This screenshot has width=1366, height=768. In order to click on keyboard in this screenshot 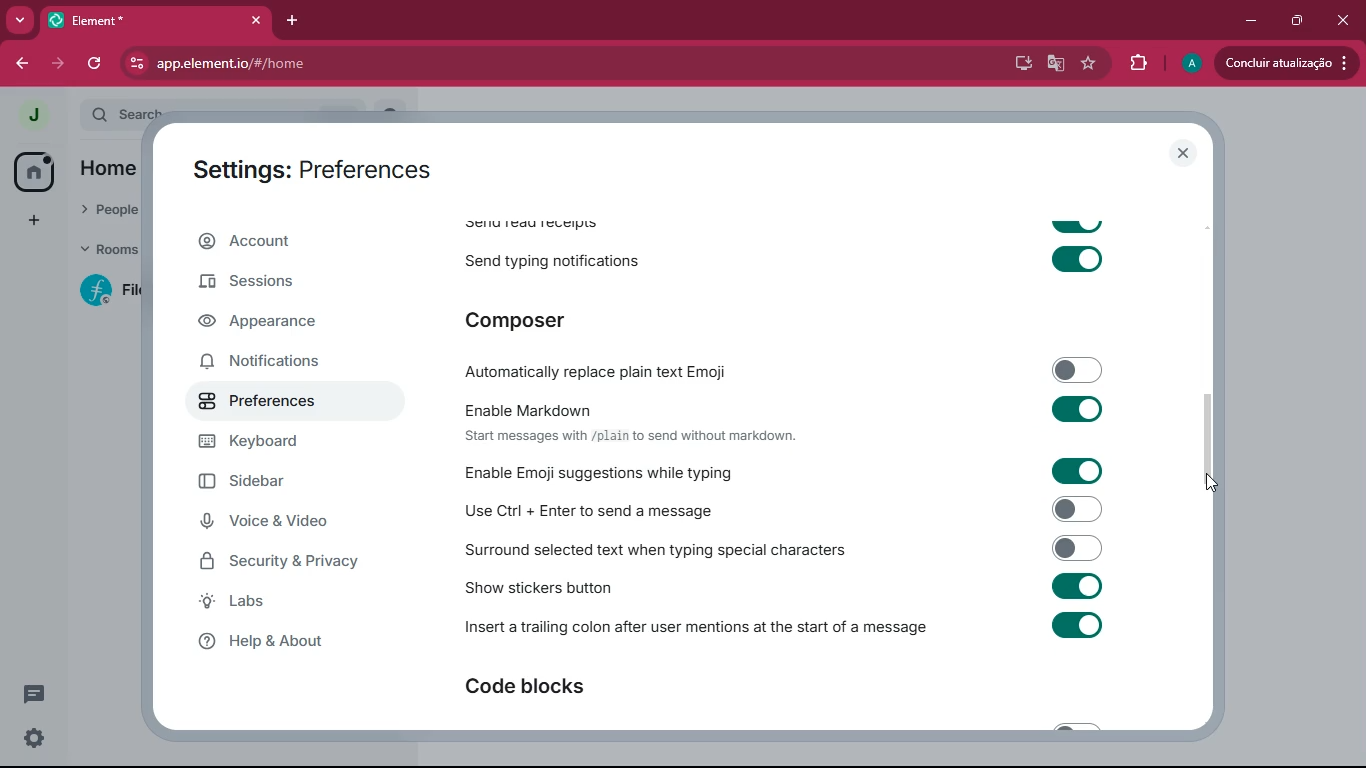, I will do `click(277, 444)`.